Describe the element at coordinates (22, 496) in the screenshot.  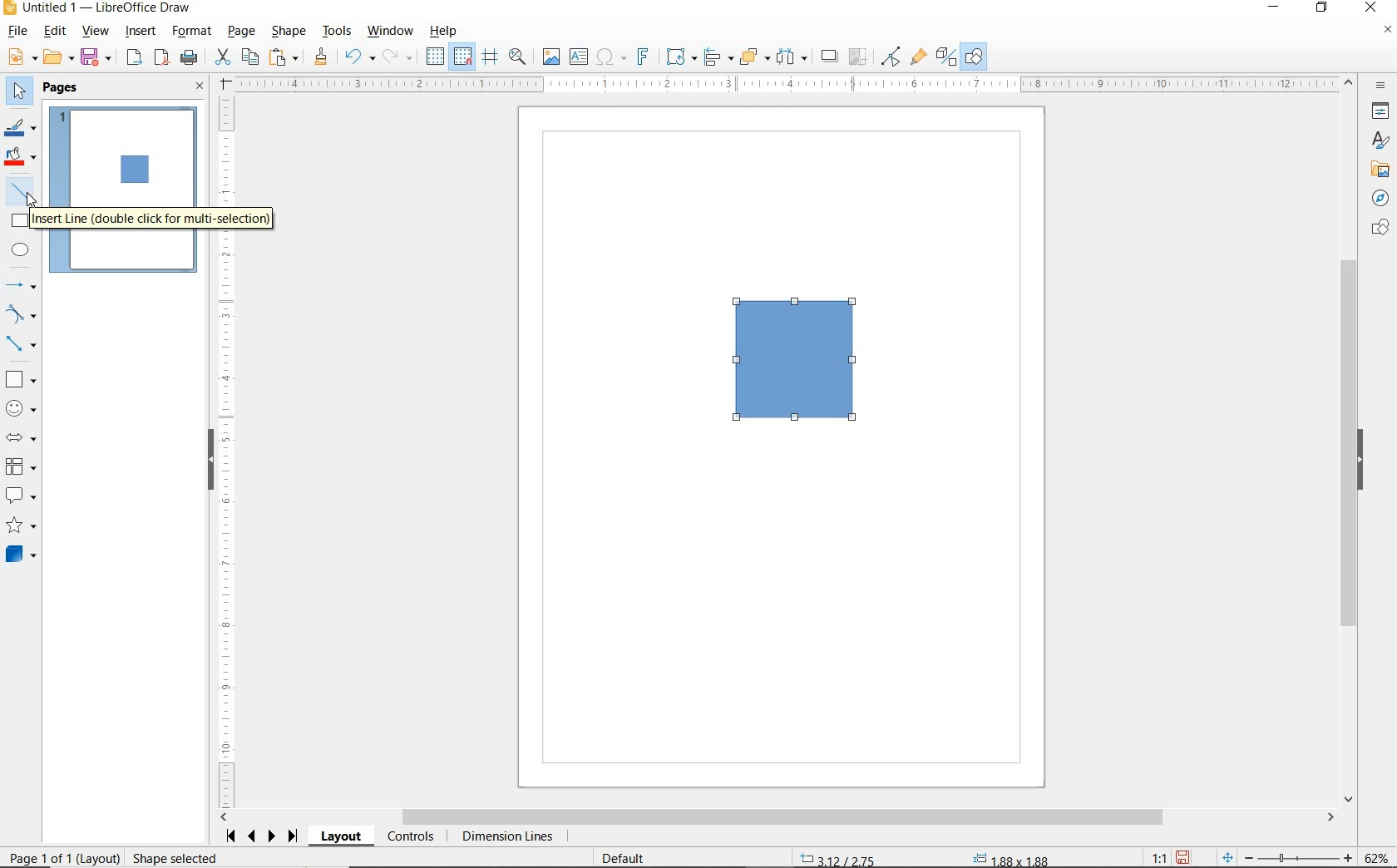
I see `CALLOUT SHAPES` at that location.